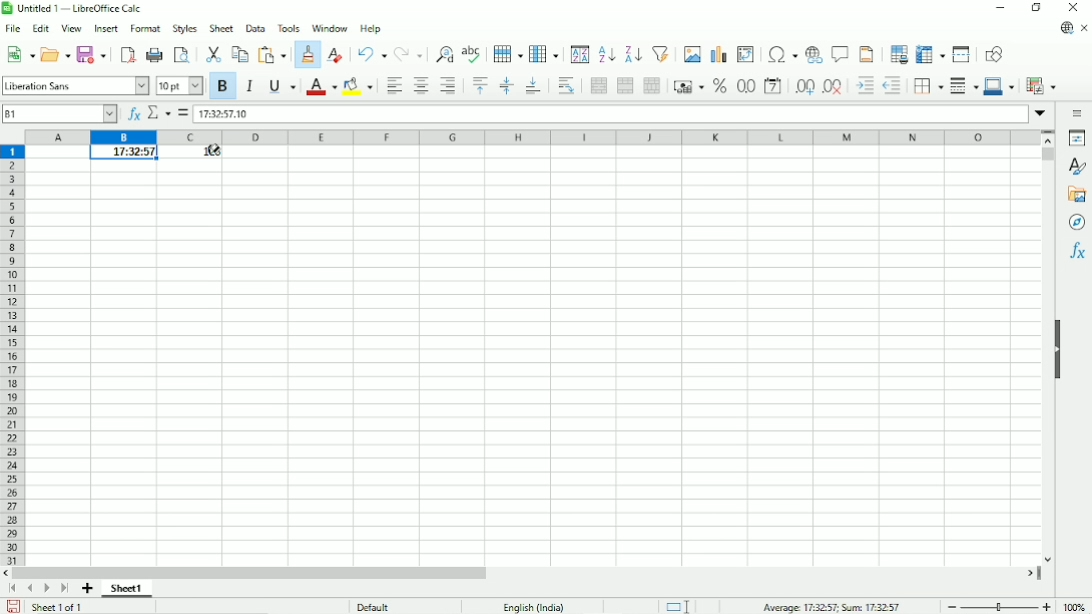  What do you see at coordinates (306, 56) in the screenshot?
I see `Clone formatting` at bounding box center [306, 56].